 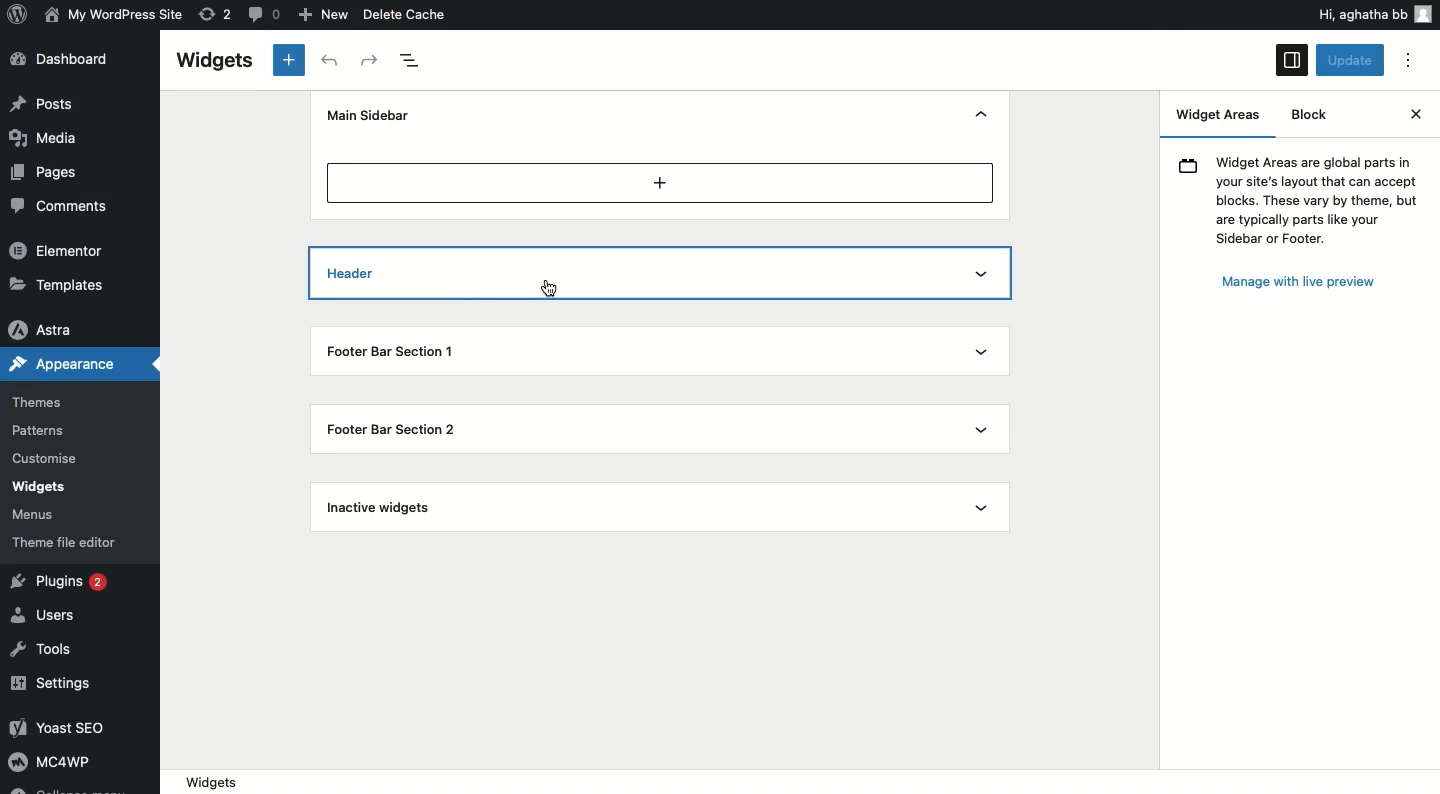 I want to click on Manage with live preview, so click(x=1298, y=284).